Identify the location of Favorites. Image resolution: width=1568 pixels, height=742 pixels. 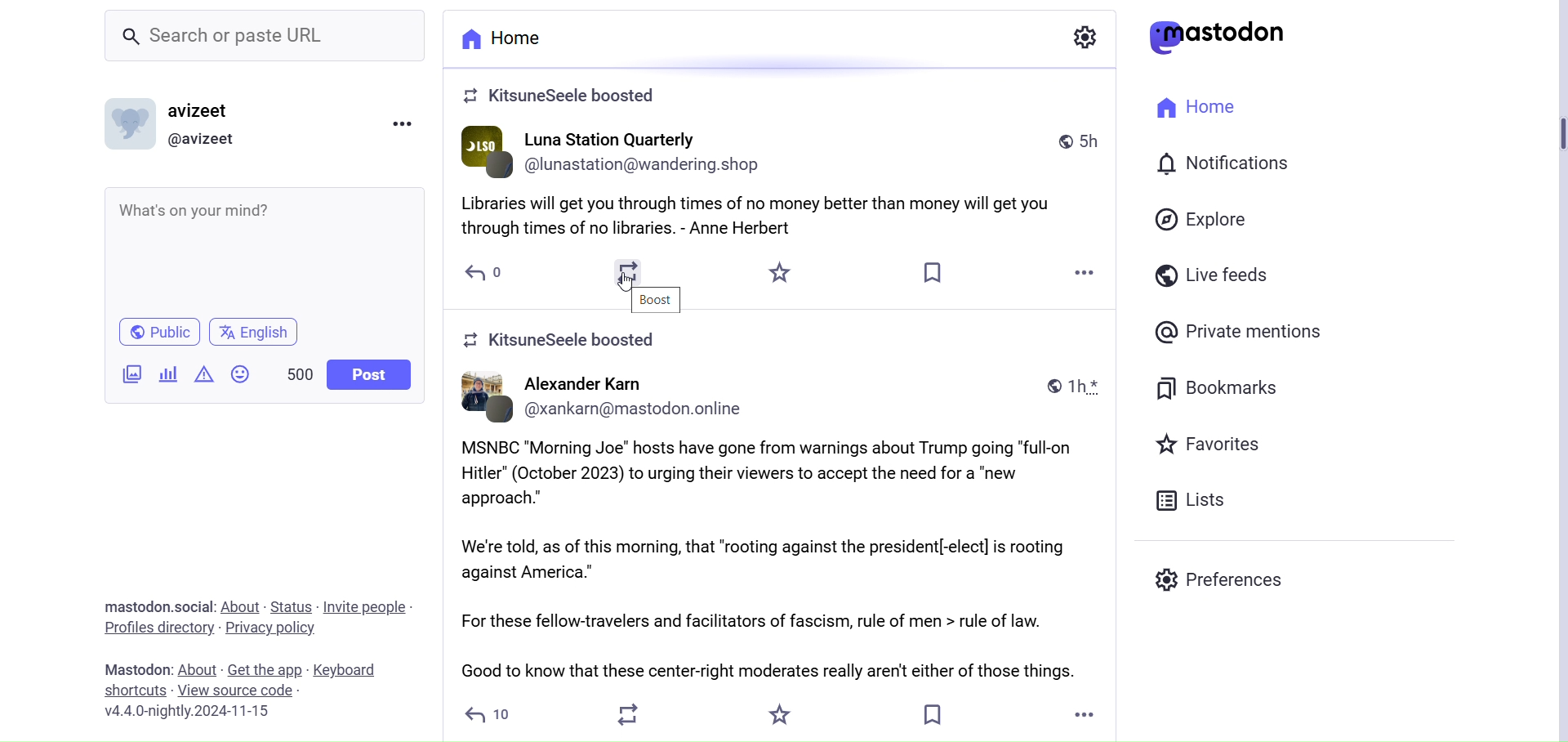
(1214, 448).